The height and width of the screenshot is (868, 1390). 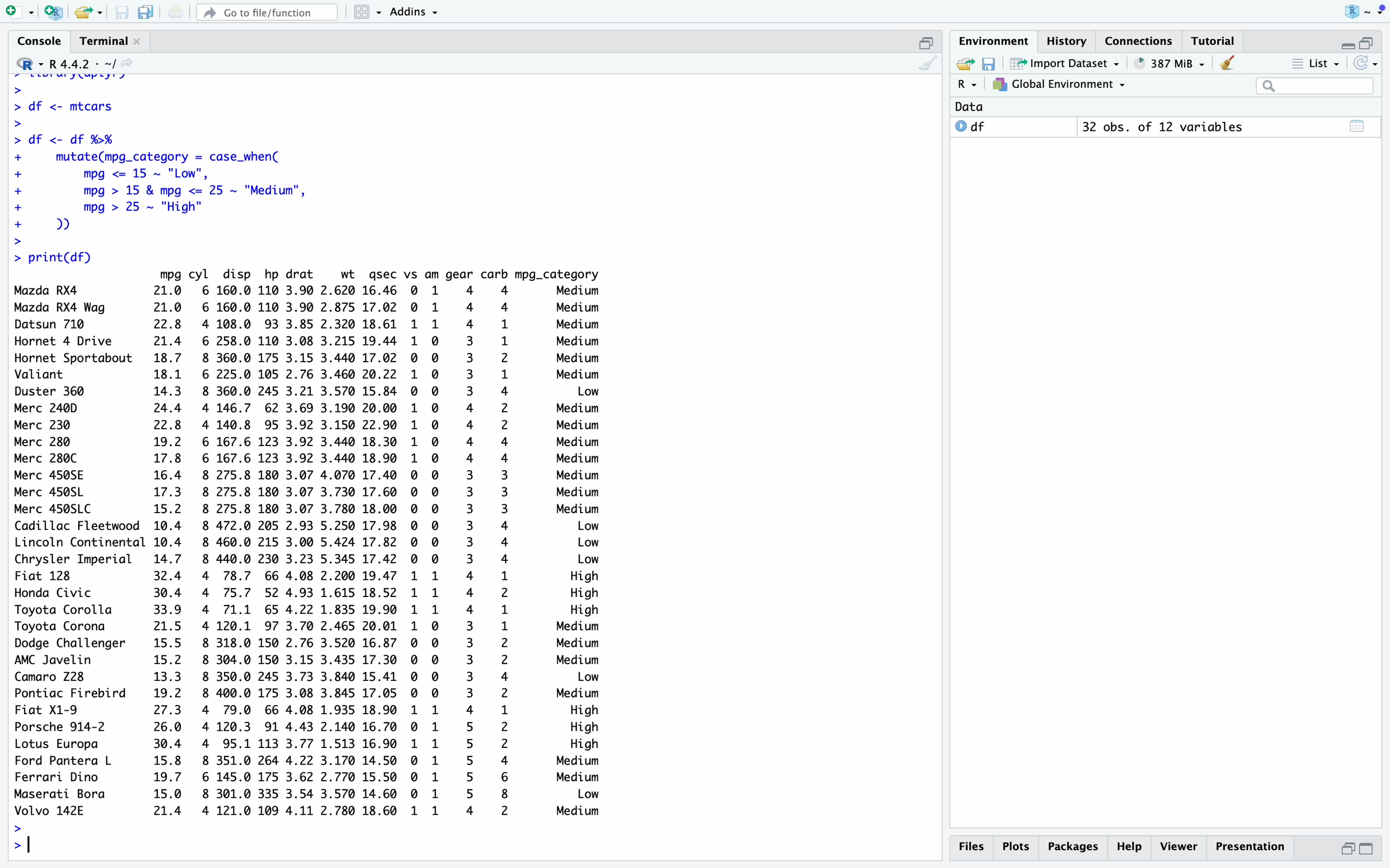 I want to click on open in separate window, so click(x=926, y=43).